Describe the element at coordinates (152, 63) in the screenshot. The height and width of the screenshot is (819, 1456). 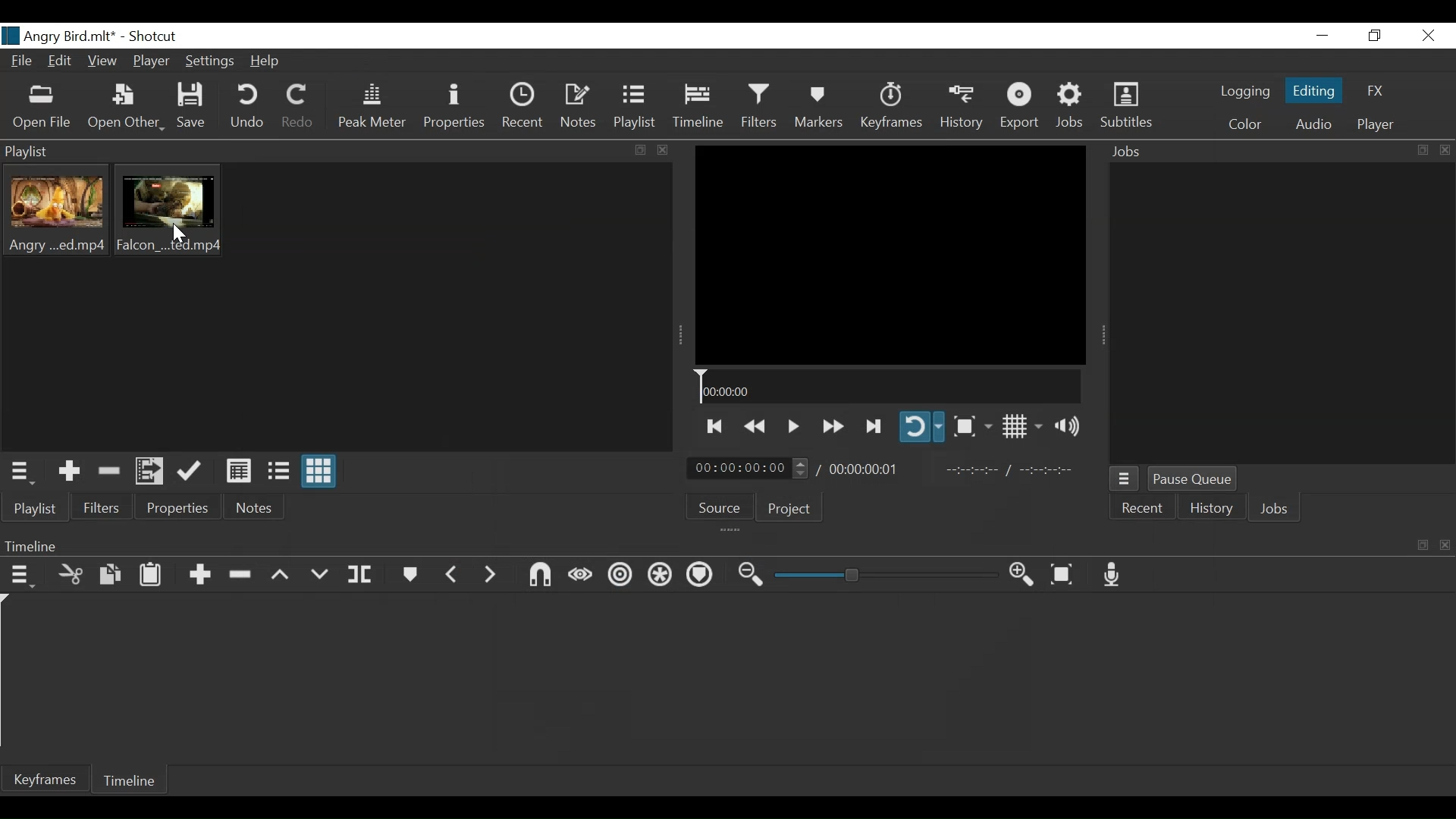
I see `Player` at that location.